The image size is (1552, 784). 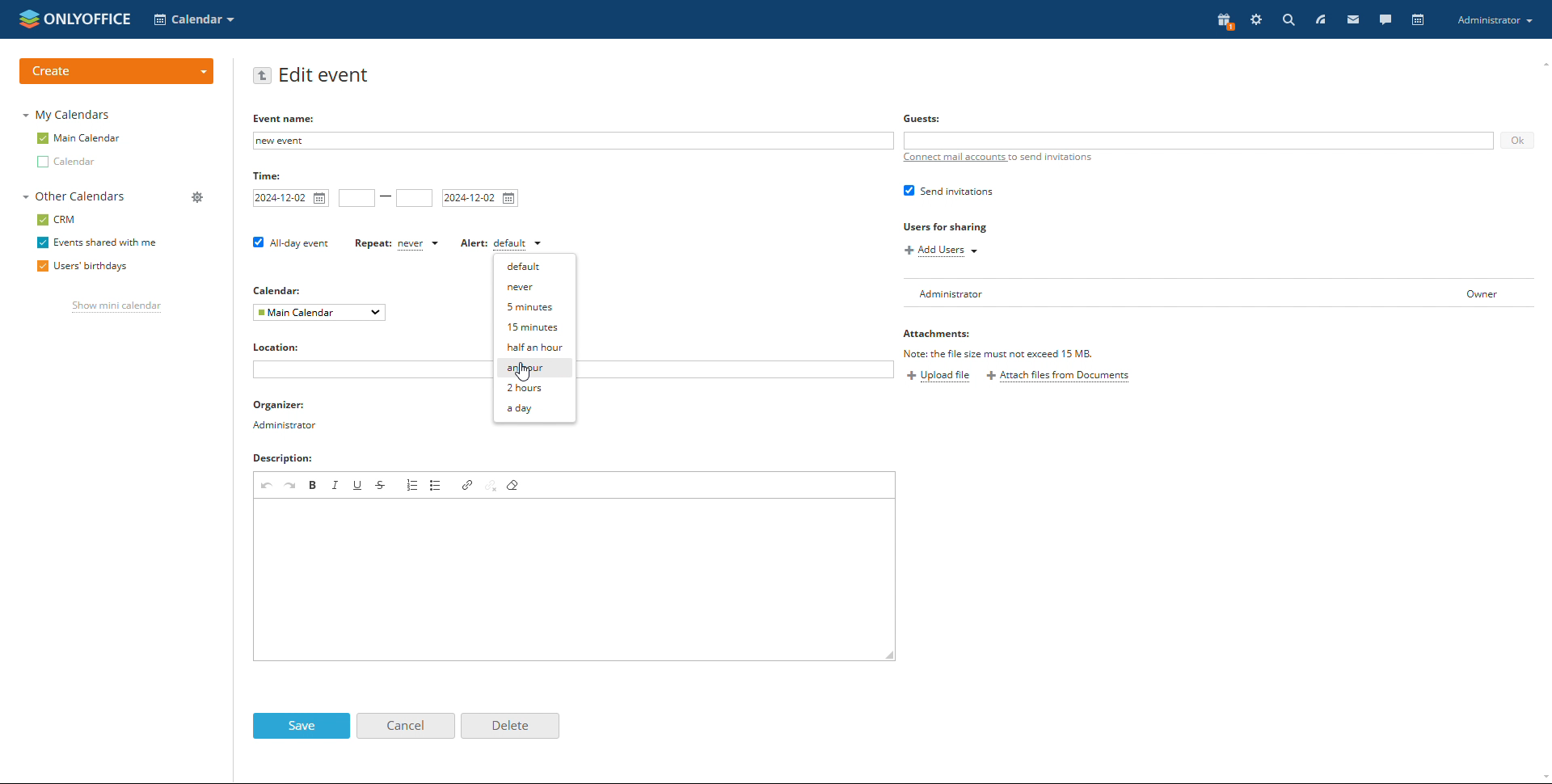 What do you see at coordinates (288, 119) in the screenshot?
I see `EVENT NAME` at bounding box center [288, 119].